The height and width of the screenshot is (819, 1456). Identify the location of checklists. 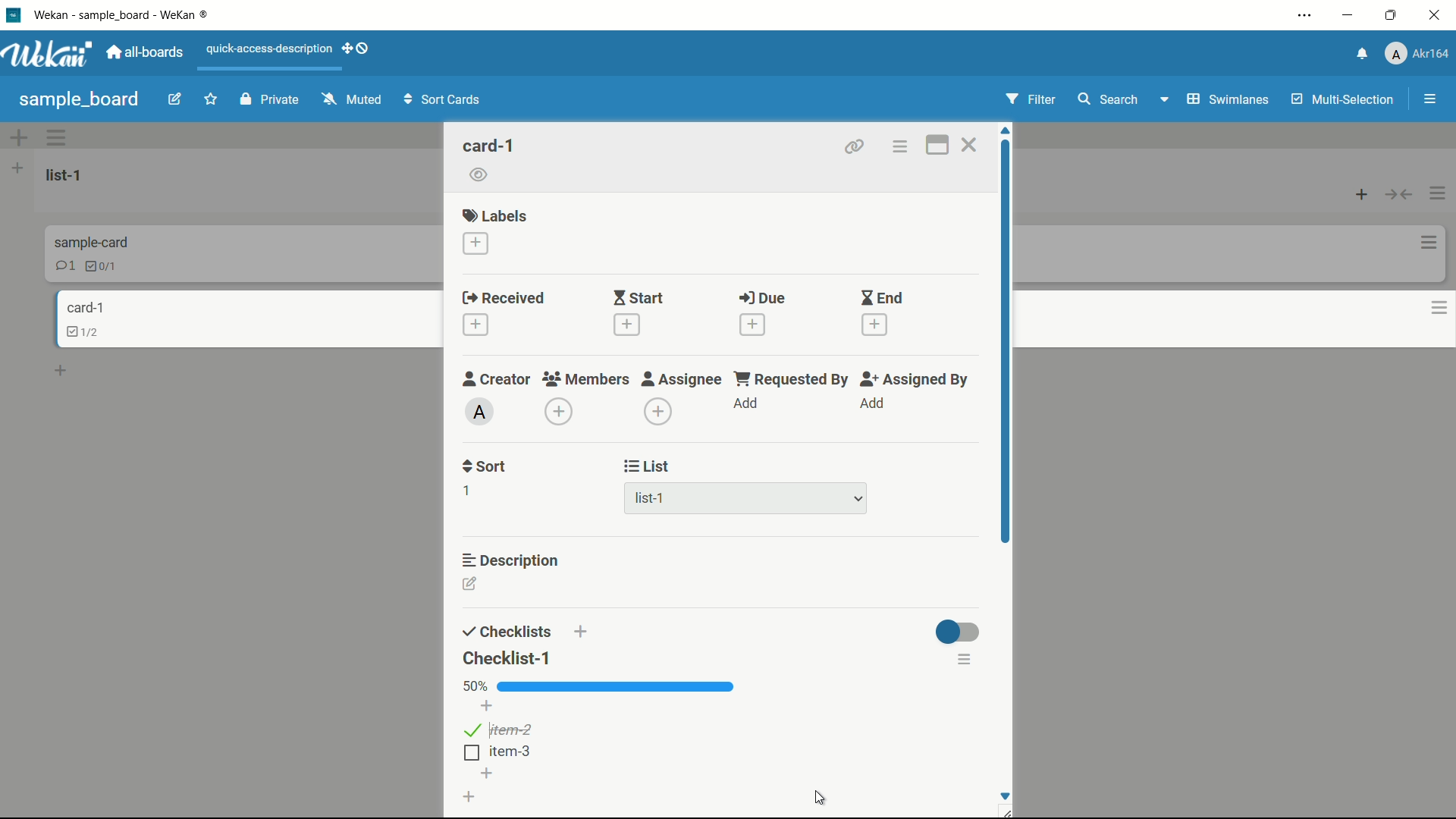
(504, 632).